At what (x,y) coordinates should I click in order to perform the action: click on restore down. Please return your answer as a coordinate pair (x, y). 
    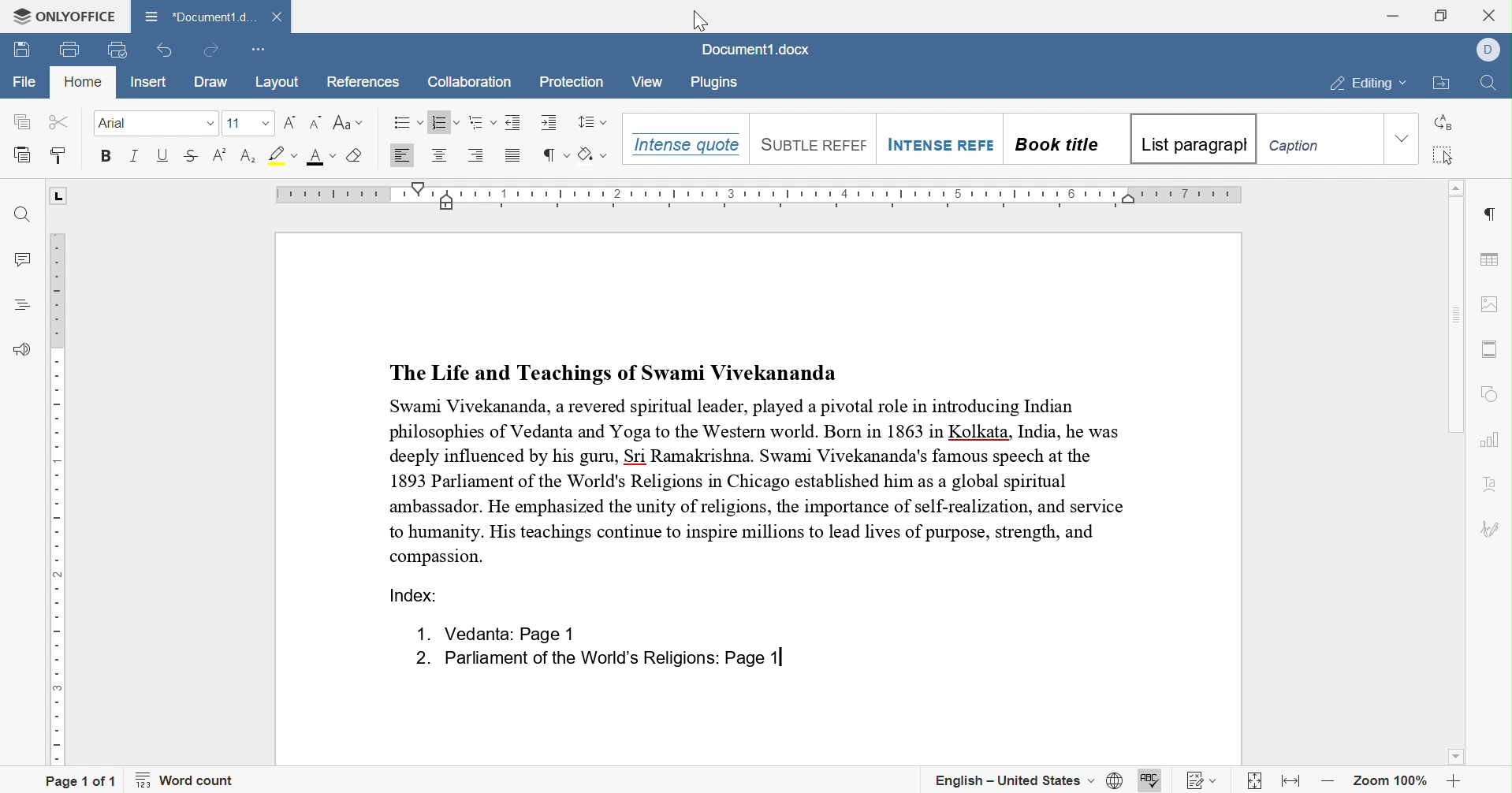
    Looking at the image, I should click on (1443, 13).